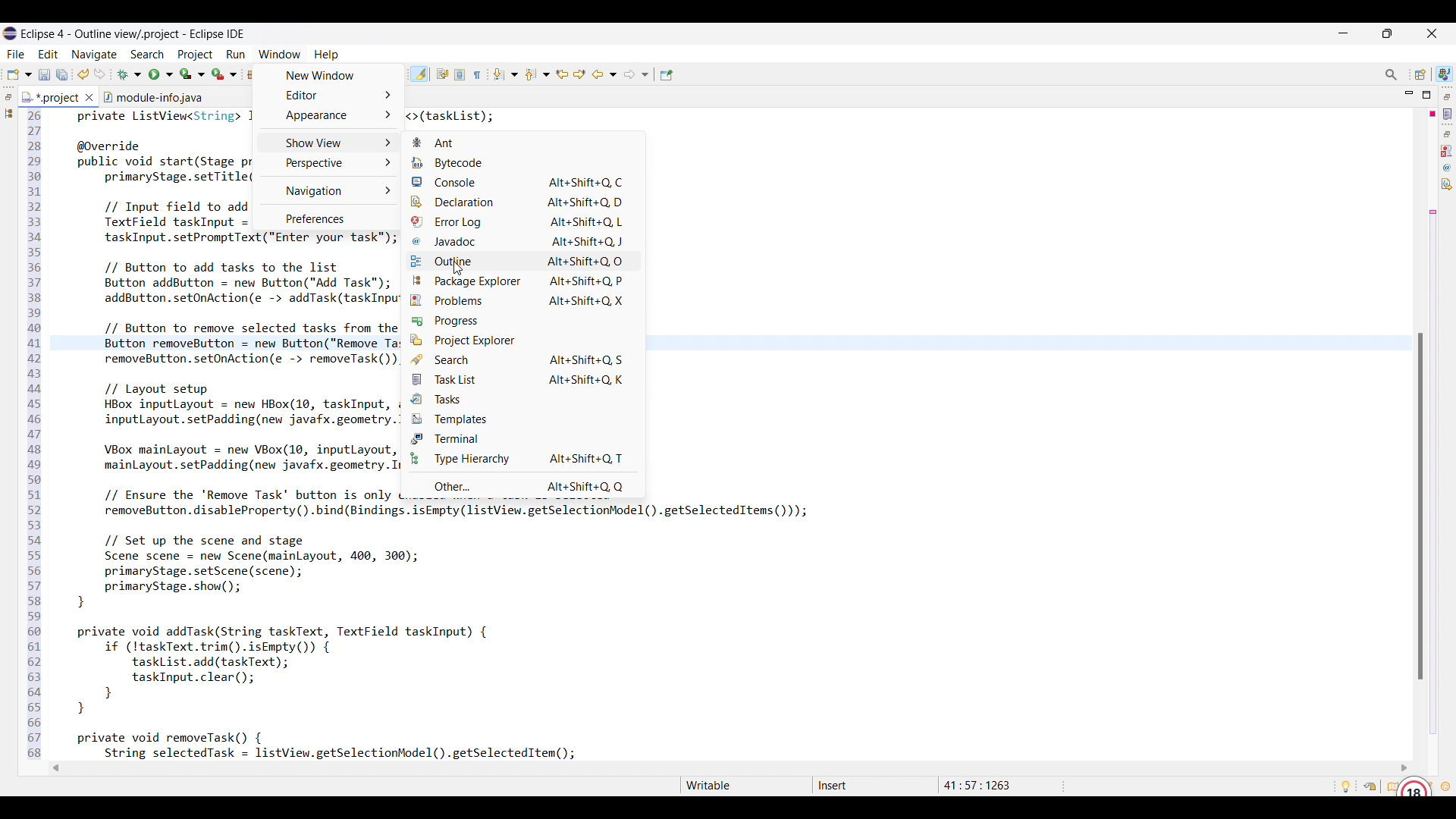  What do you see at coordinates (580, 74) in the screenshot?
I see `Next edit location` at bounding box center [580, 74].